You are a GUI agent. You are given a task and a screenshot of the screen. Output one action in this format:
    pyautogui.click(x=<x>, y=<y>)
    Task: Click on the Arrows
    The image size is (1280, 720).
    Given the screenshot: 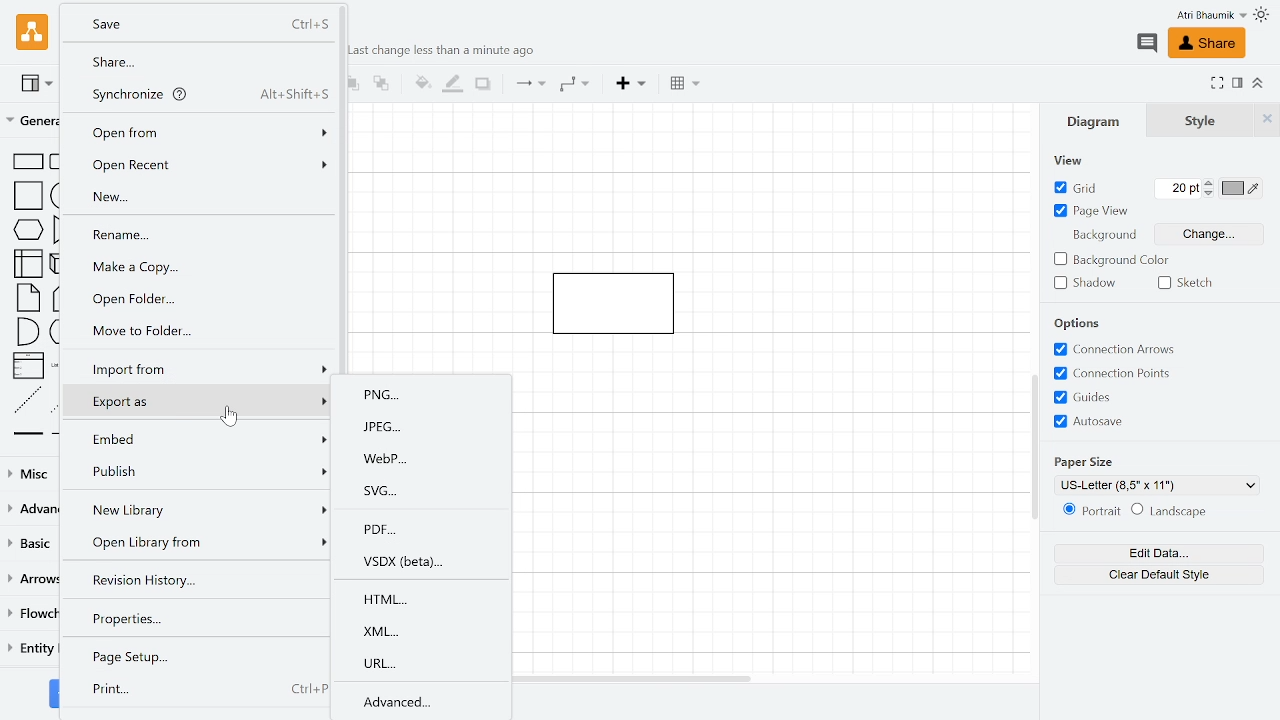 What is the action you would take?
    pyautogui.click(x=30, y=579)
    